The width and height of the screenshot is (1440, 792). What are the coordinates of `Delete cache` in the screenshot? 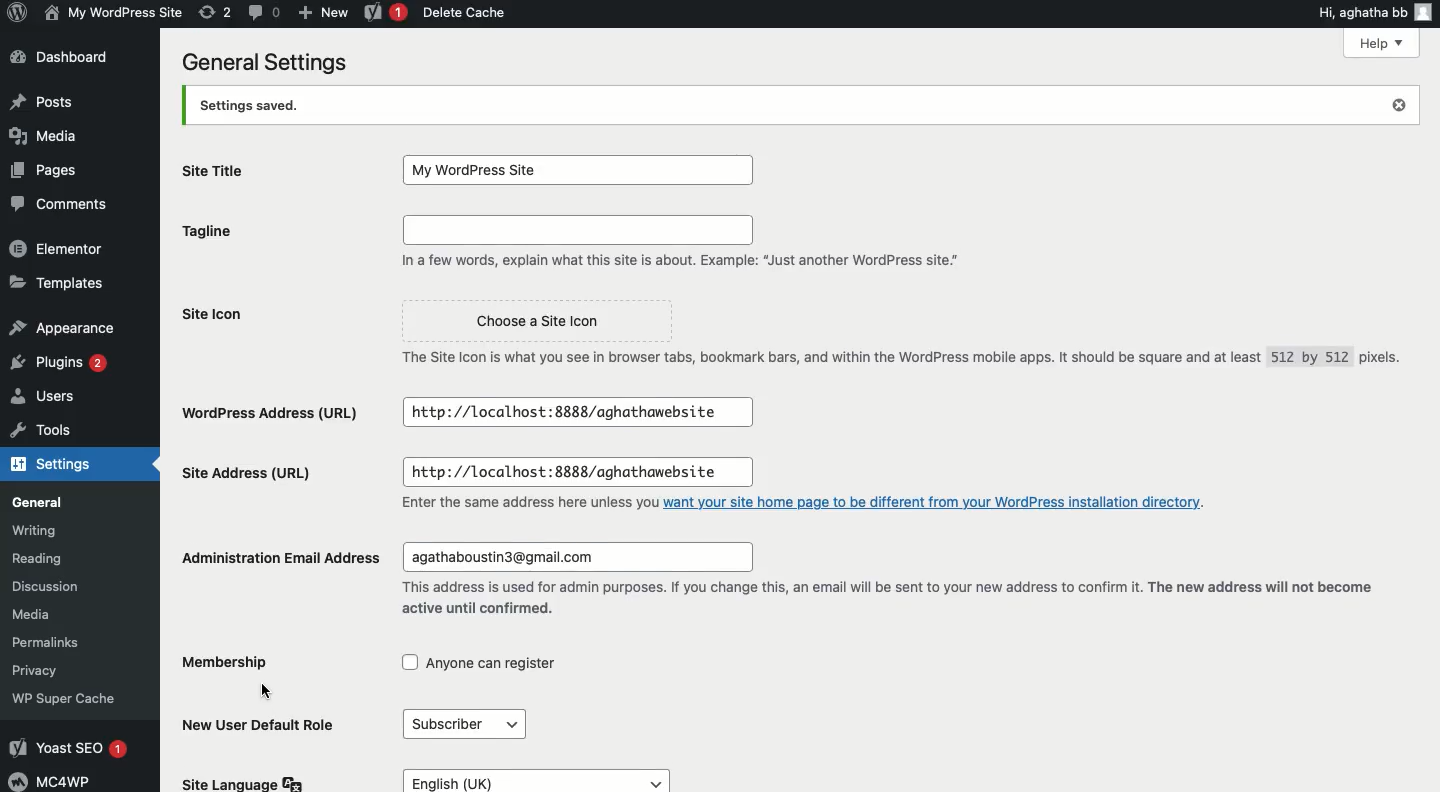 It's located at (468, 12).